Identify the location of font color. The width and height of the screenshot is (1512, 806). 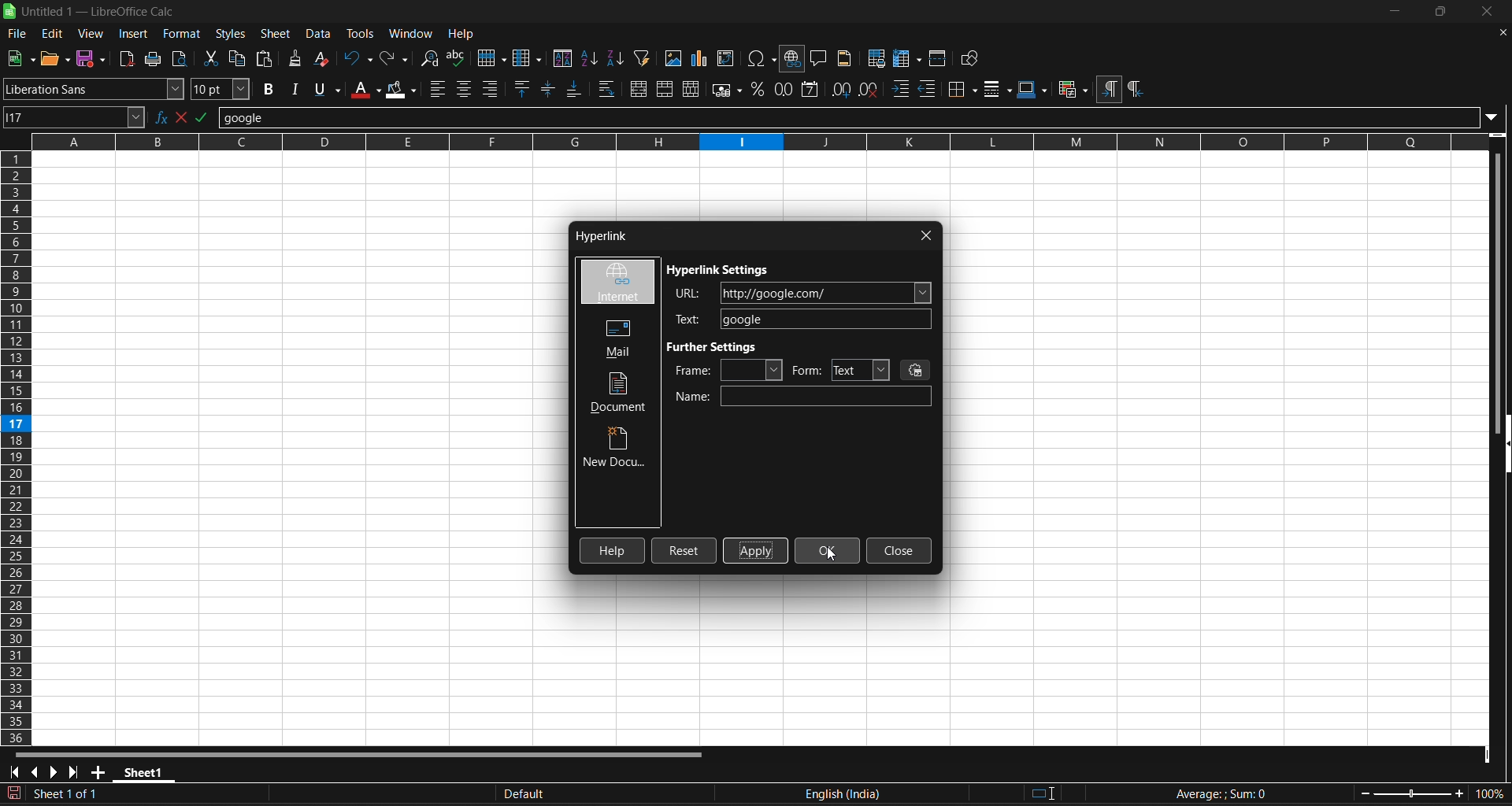
(365, 89).